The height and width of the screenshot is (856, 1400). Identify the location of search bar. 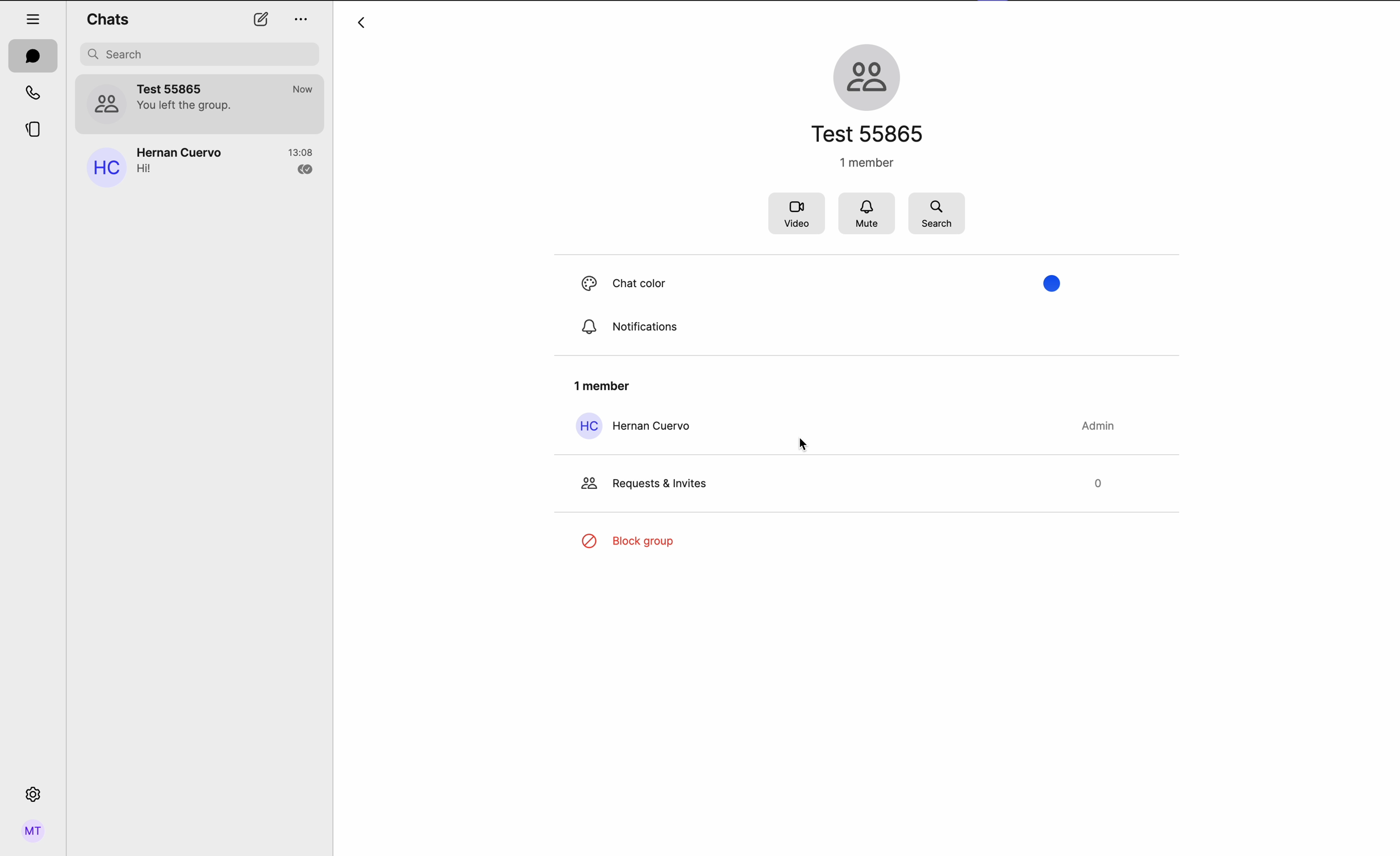
(201, 54).